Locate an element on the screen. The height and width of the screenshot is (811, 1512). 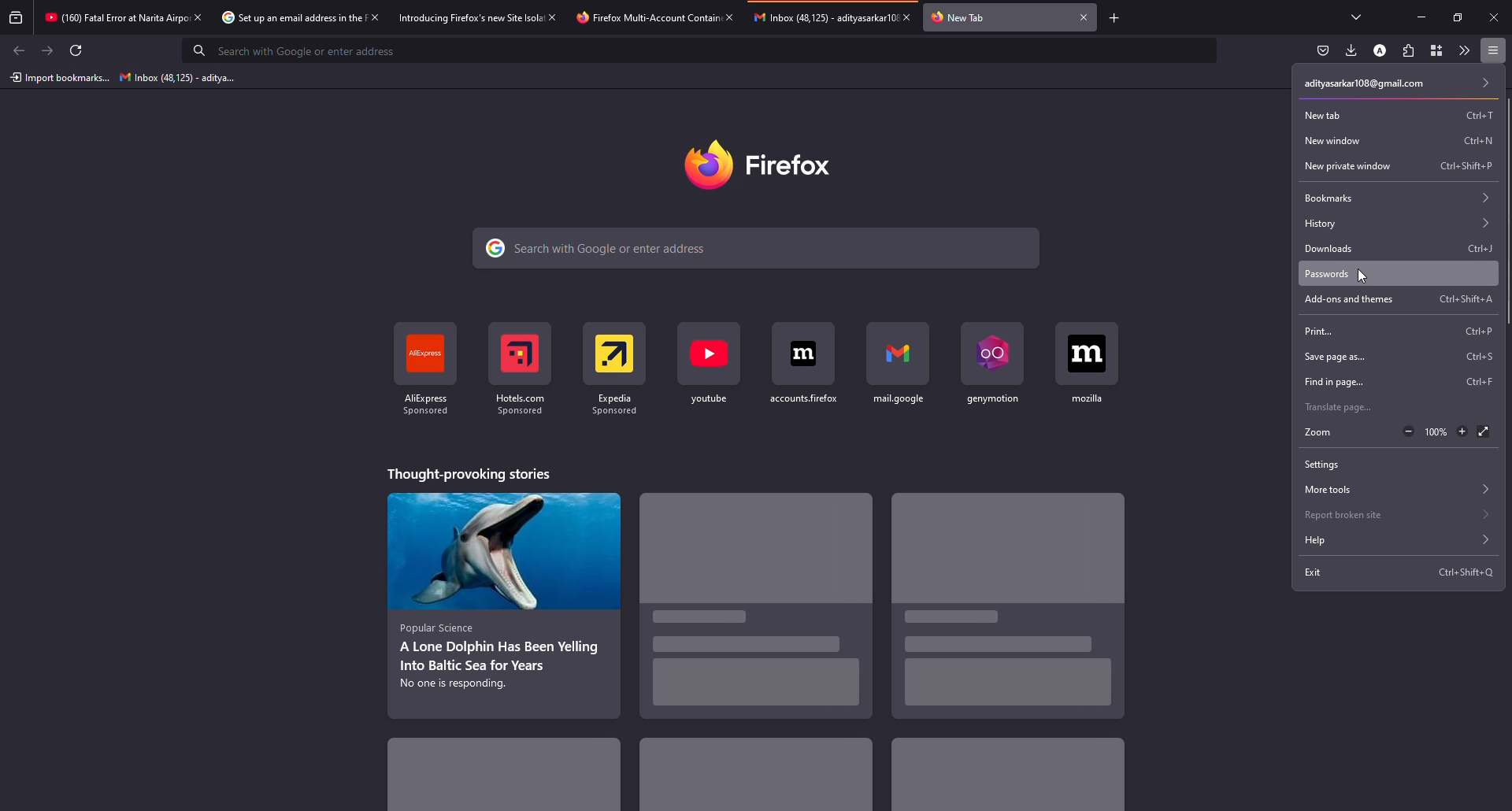
shortcut is located at coordinates (1456, 165).